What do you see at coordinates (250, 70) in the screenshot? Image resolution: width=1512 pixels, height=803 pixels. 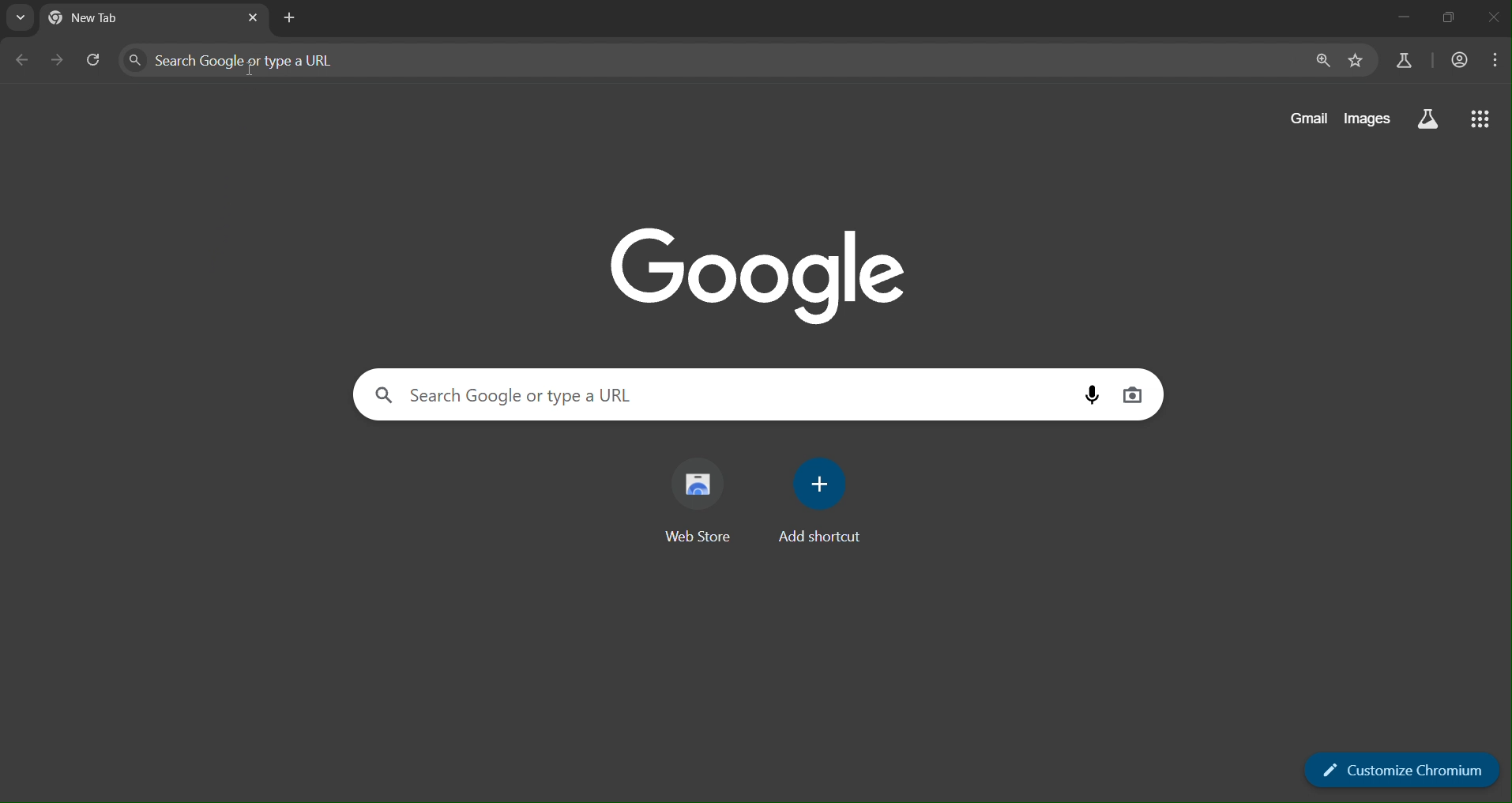 I see `cursor` at bounding box center [250, 70].